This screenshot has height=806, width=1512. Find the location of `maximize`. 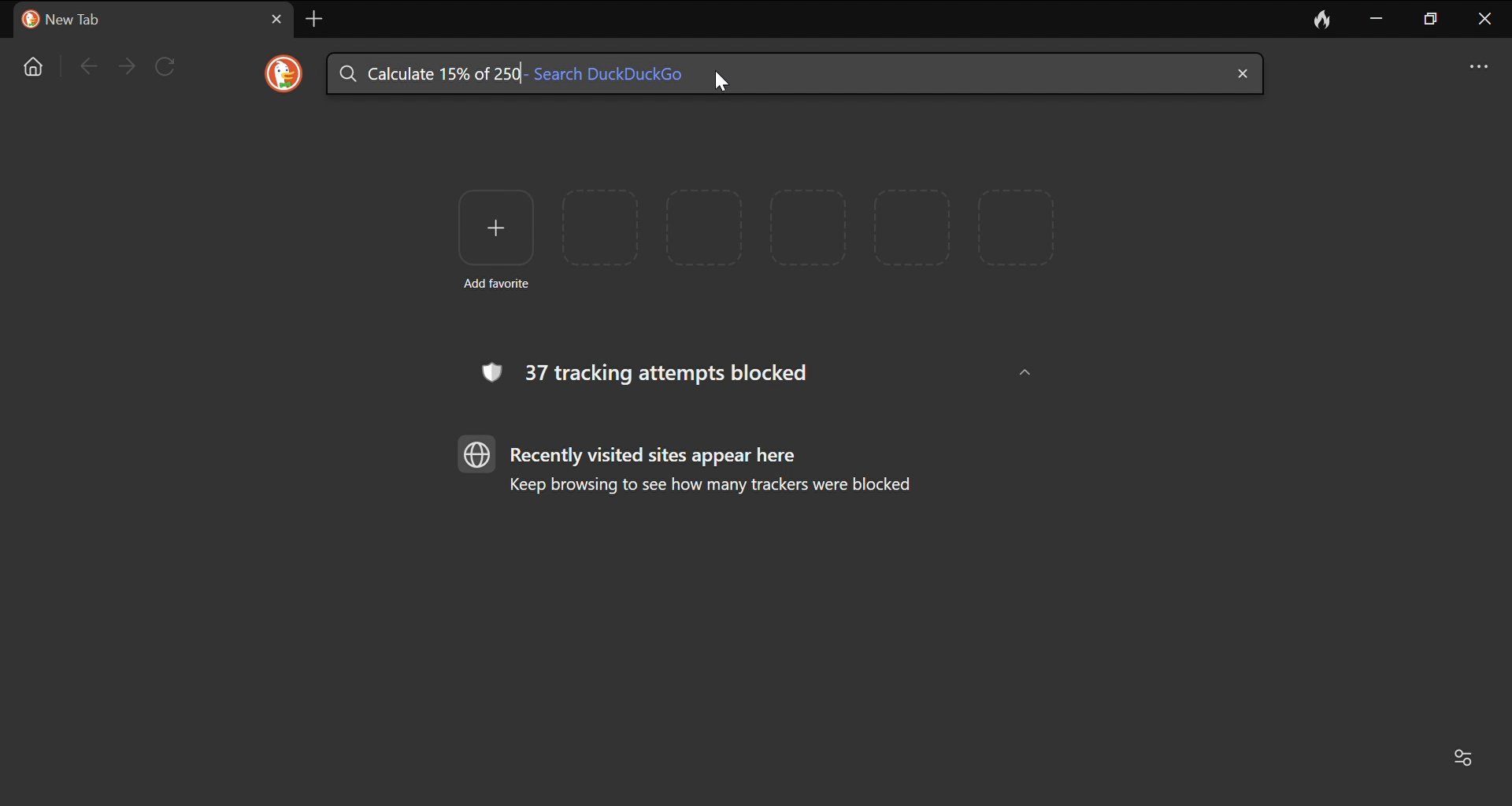

maximize is located at coordinates (1432, 20).